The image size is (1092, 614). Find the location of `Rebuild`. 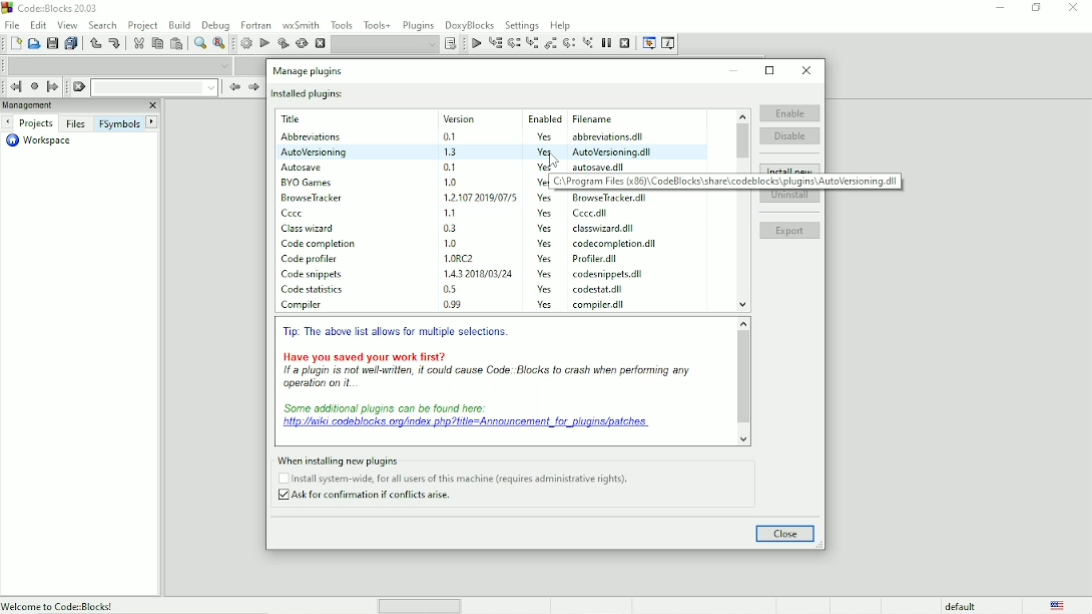

Rebuild is located at coordinates (301, 43).